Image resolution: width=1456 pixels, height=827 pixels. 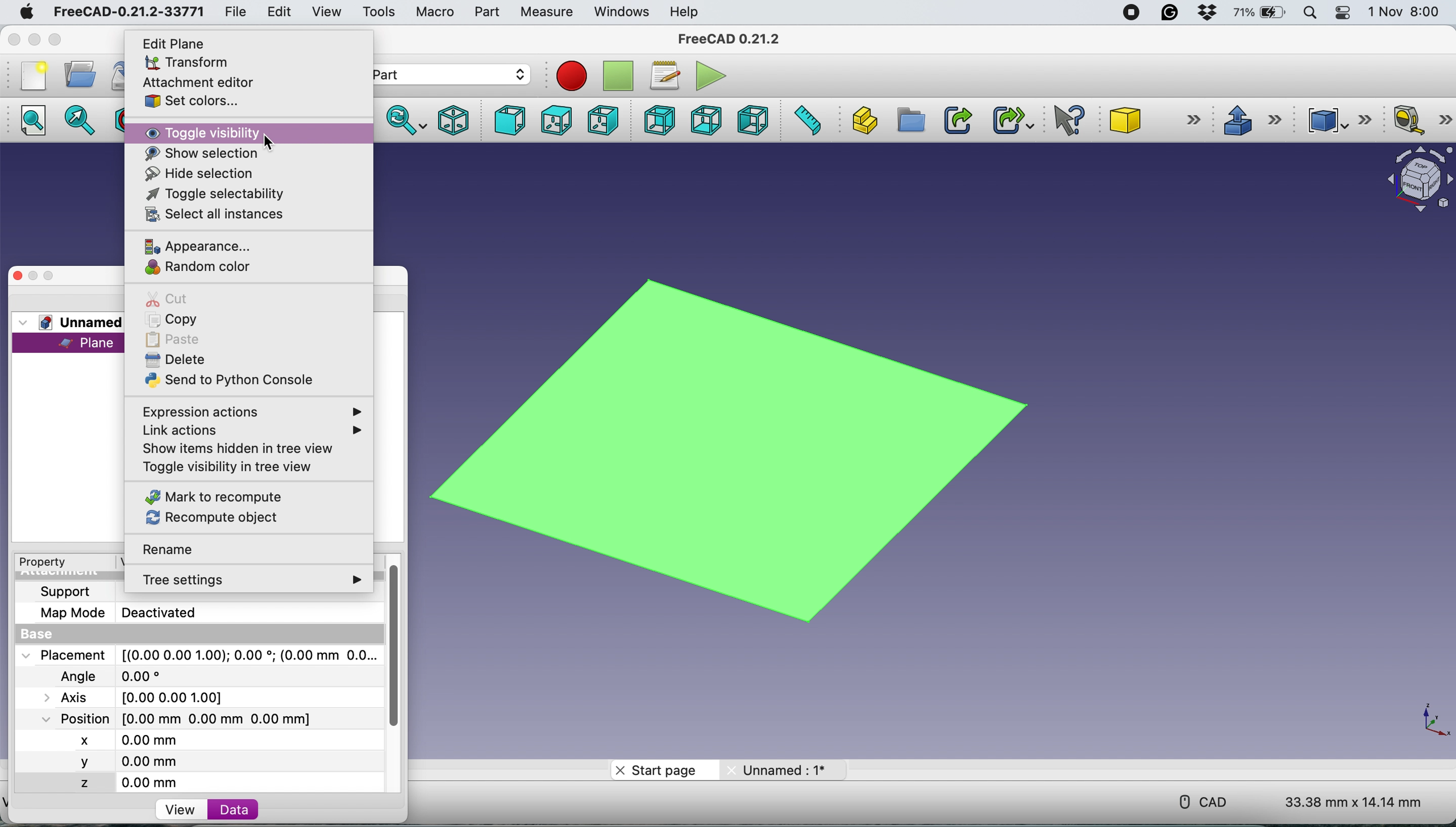 I want to click on recompute object, so click(x=215, y=517).